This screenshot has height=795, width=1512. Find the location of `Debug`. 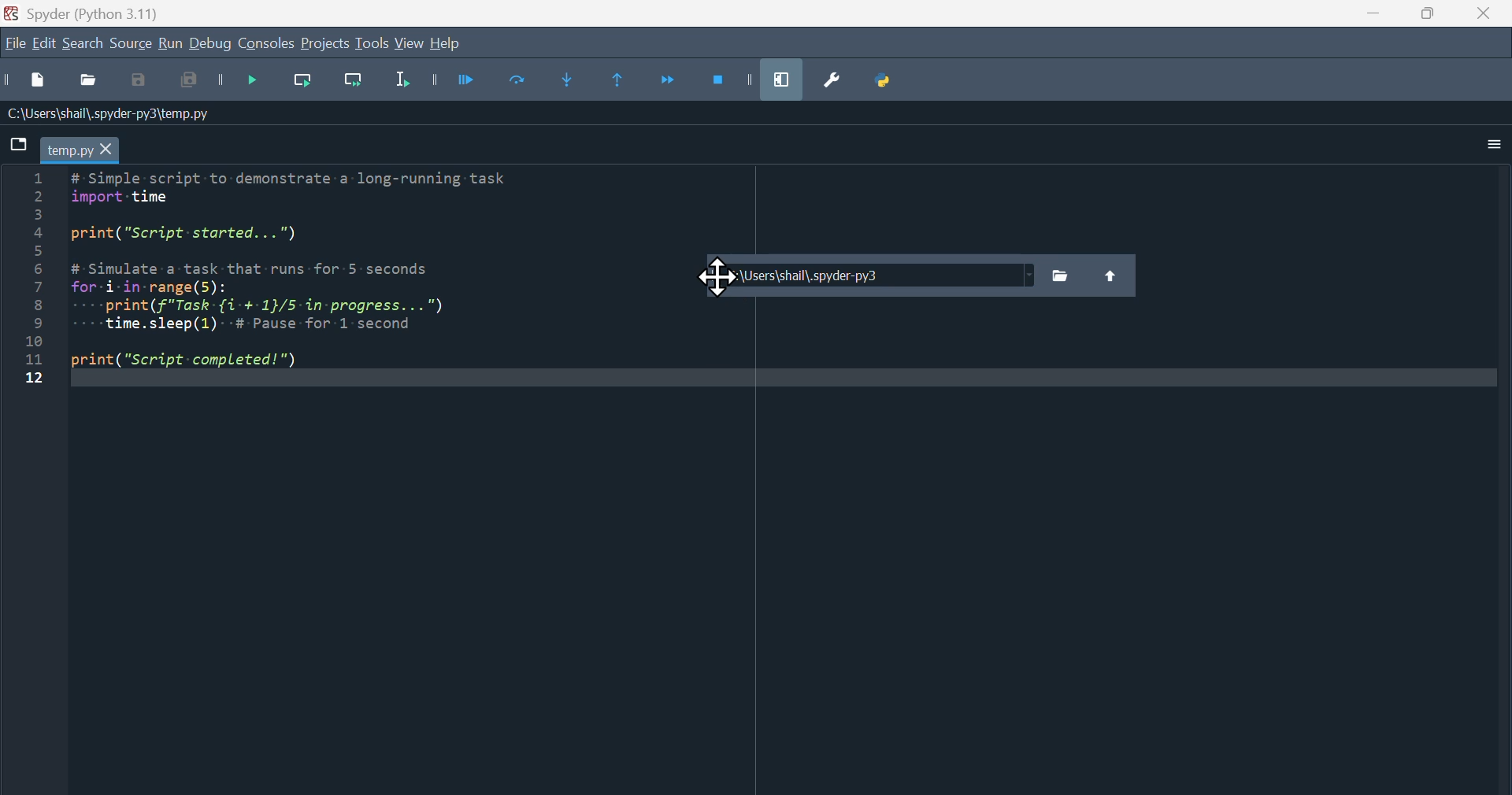

Debug is located at coordinates (213, 48).